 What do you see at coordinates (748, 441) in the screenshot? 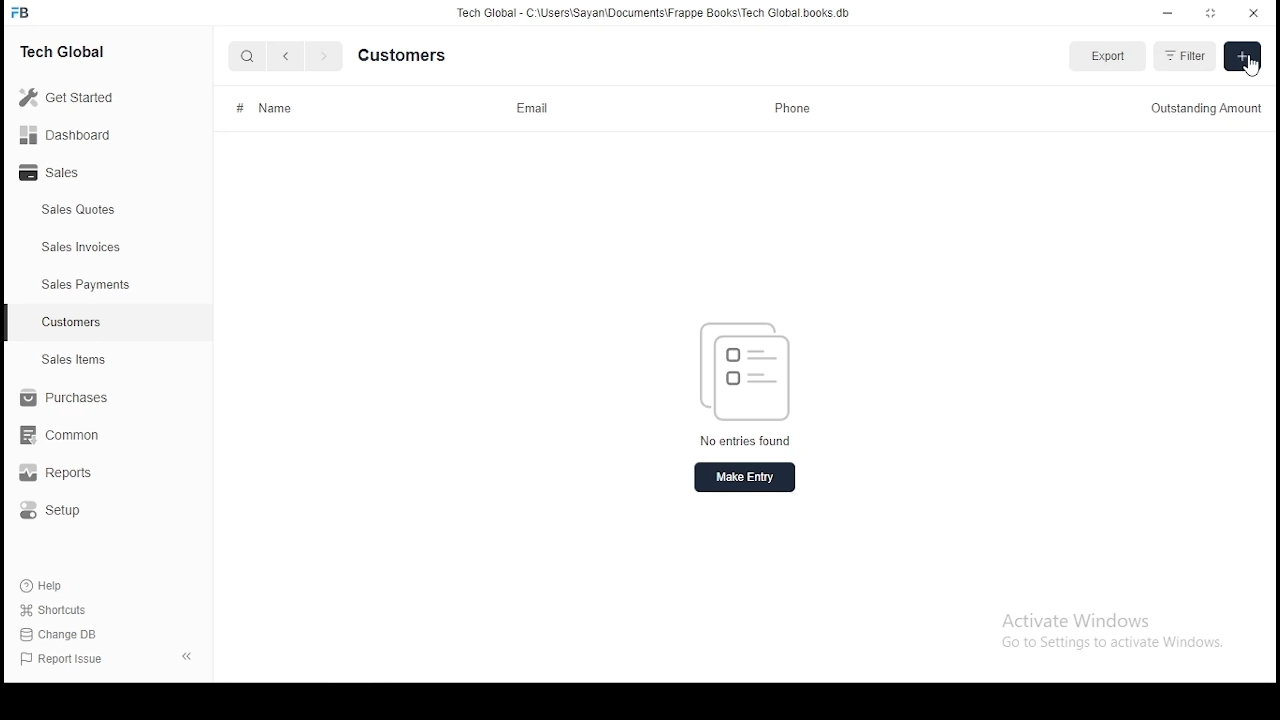
I see `no entries found` at bounding box center [748, 441].